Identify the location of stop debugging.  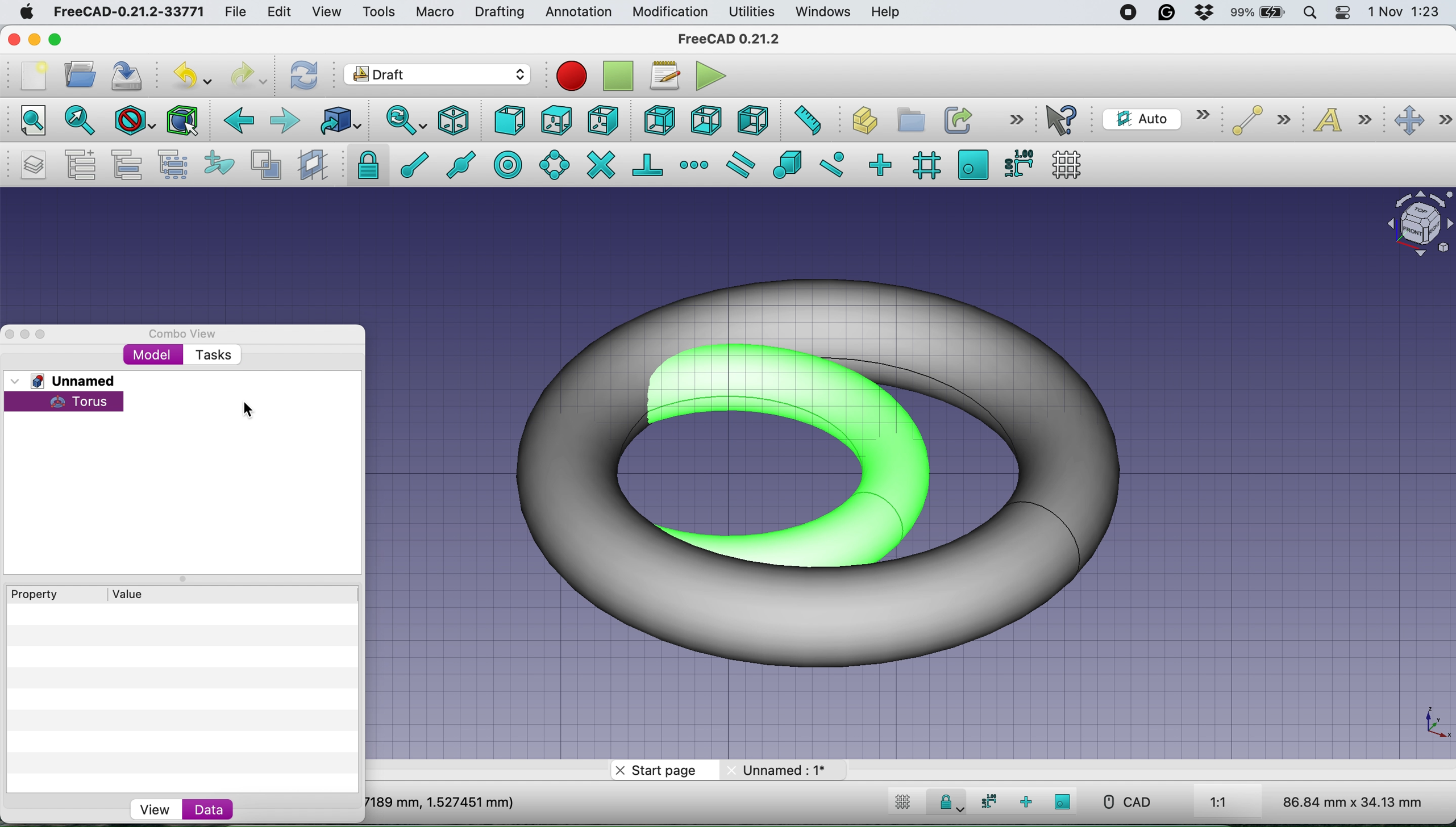
(615, 76).